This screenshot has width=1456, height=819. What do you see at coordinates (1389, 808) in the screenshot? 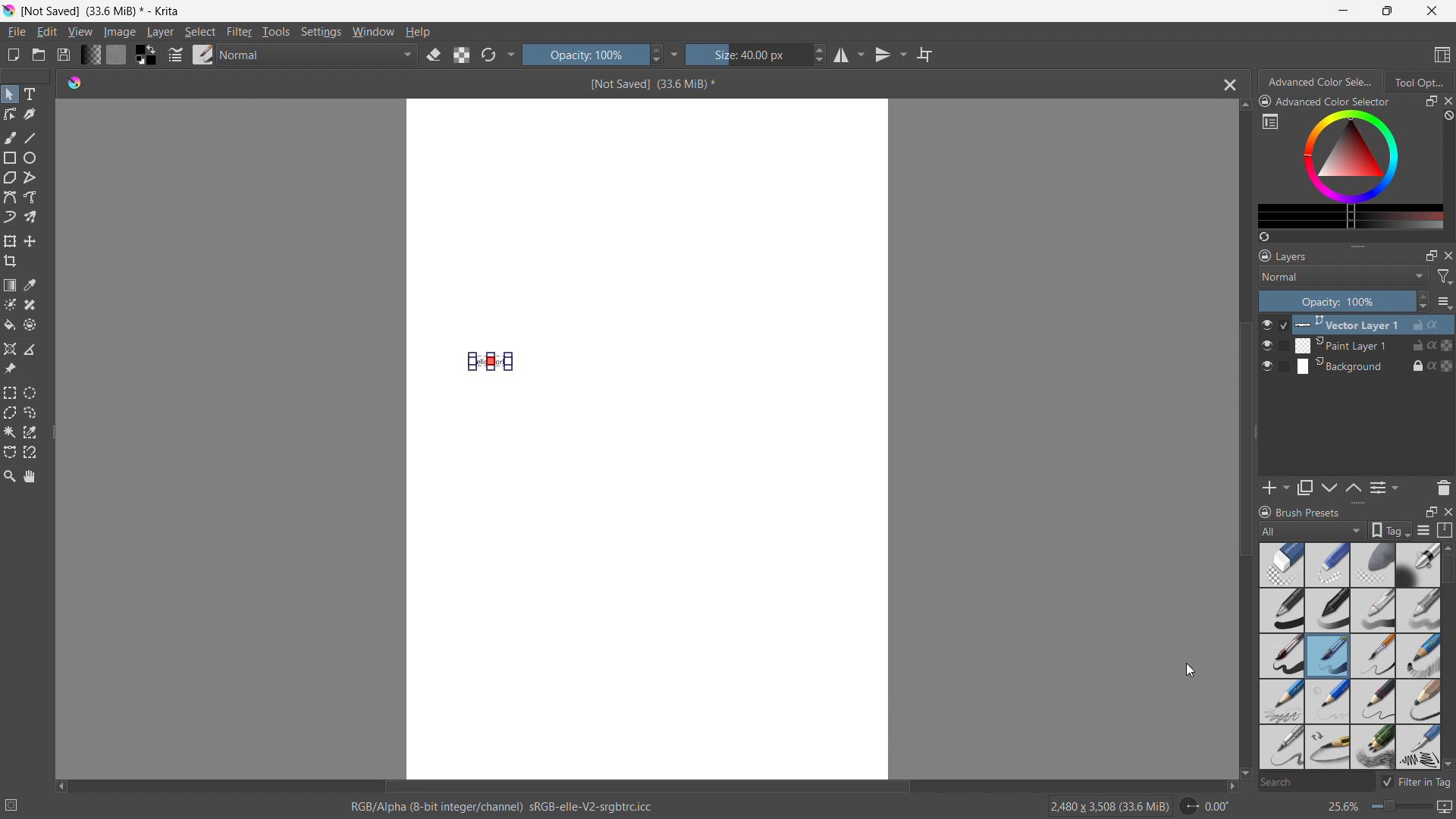
I see `zoom level` at bounding box center [1389, 808].